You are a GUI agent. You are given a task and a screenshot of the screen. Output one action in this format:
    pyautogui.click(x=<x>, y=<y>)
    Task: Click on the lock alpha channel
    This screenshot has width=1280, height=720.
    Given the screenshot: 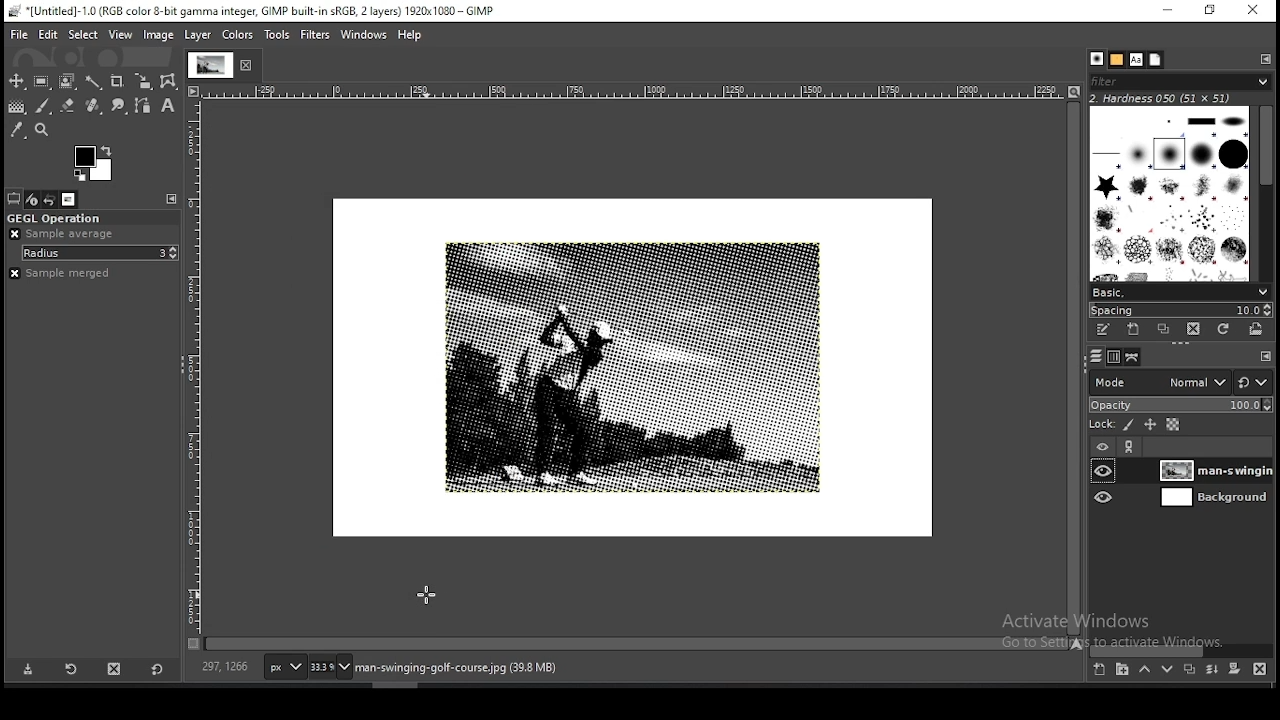 What is the action you would take?
    pyautogui.click(x=1171, y=425)
    